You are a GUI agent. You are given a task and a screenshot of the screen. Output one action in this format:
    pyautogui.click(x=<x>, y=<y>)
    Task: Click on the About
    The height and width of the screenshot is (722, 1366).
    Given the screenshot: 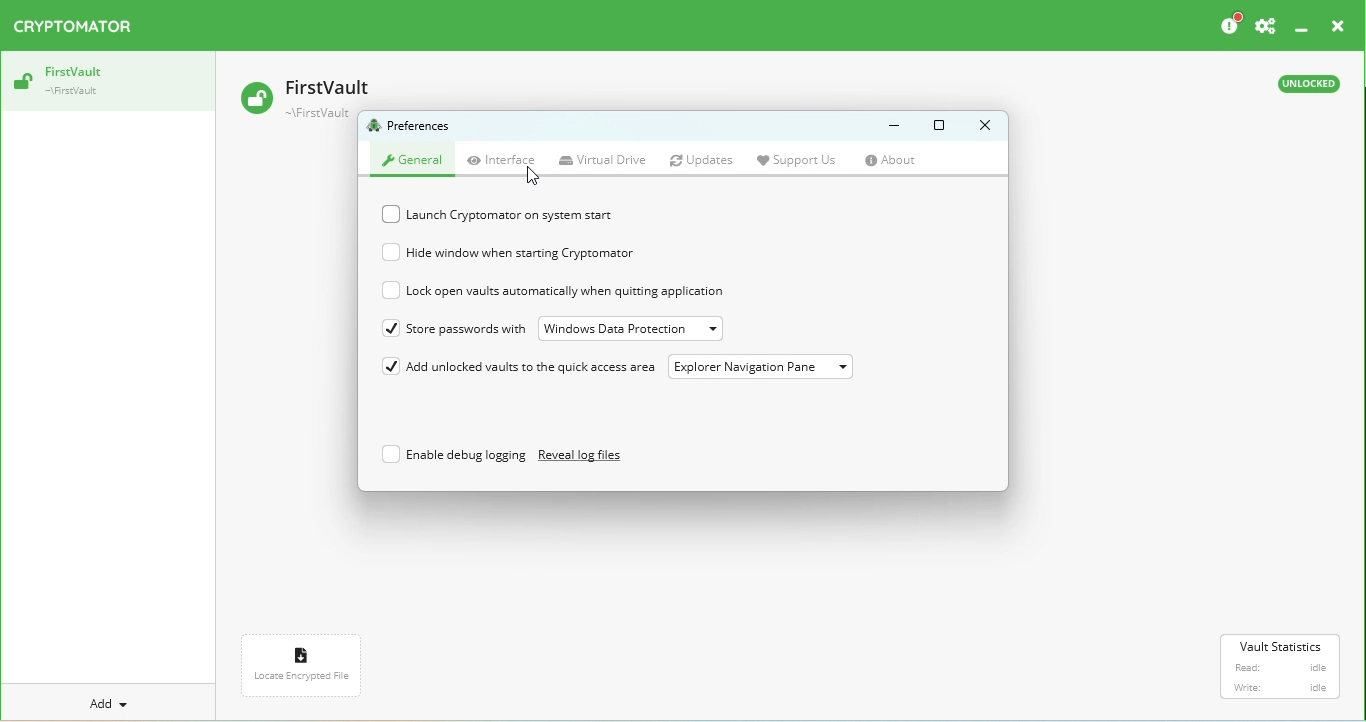 What is the action you would take?
    pyautogui.click(x=899, y=161)
    